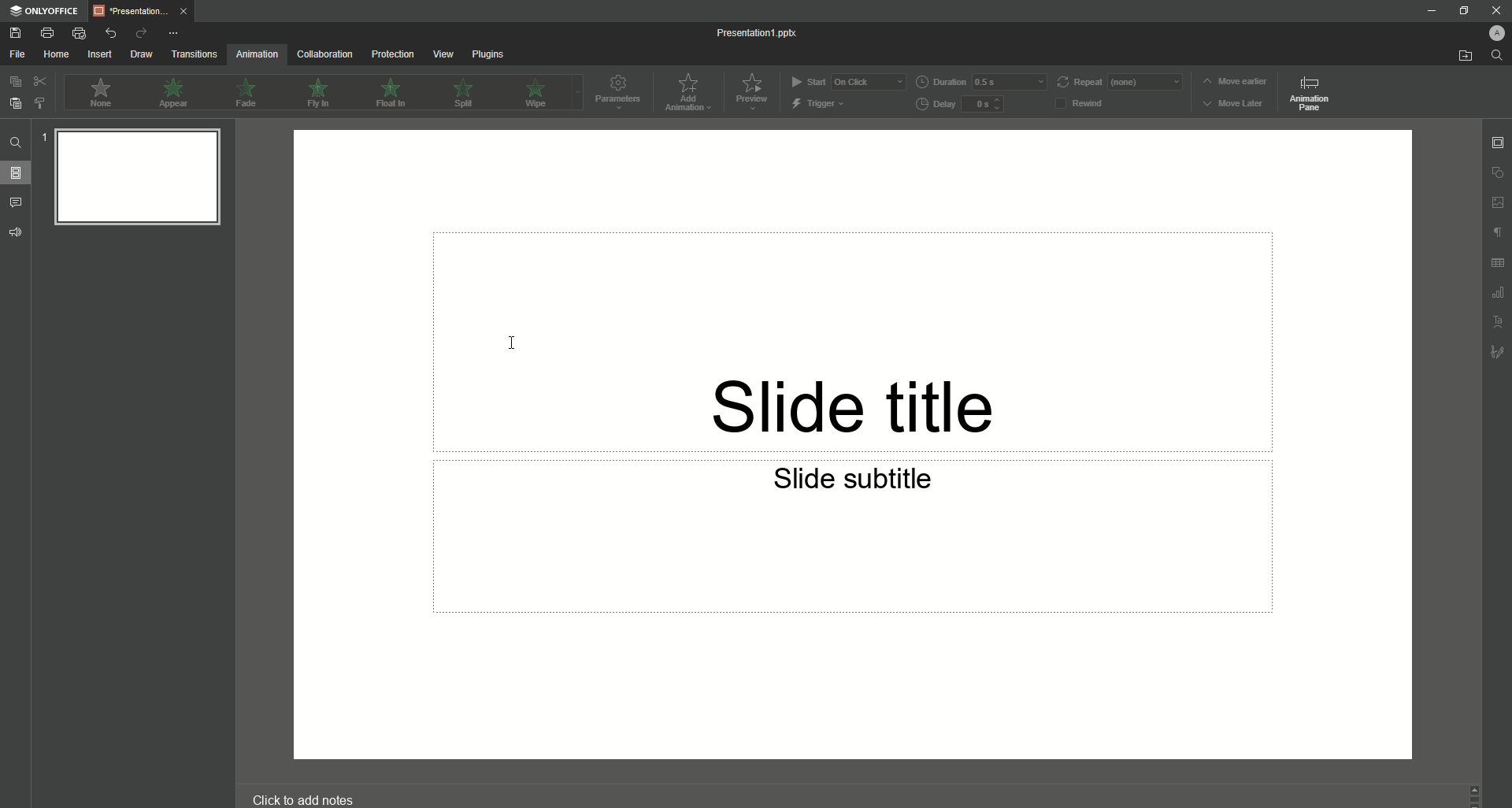 The width and height of the screenshot is (1512, 808). Describe the element at coordinates (981, 82) in the screenshot. I see `Duration` at that location.